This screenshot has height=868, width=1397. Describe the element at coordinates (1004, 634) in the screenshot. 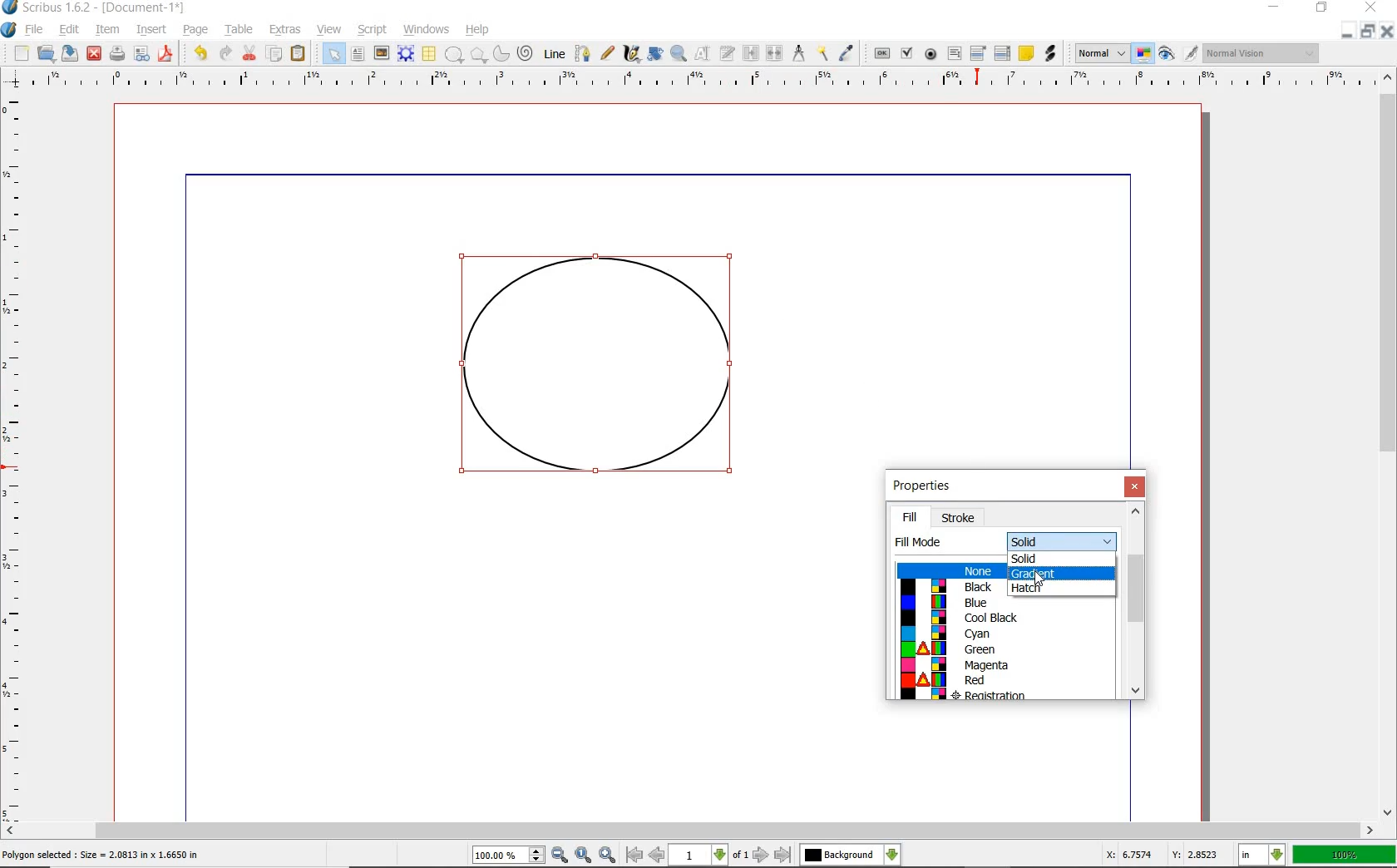

I see `color` at that location.